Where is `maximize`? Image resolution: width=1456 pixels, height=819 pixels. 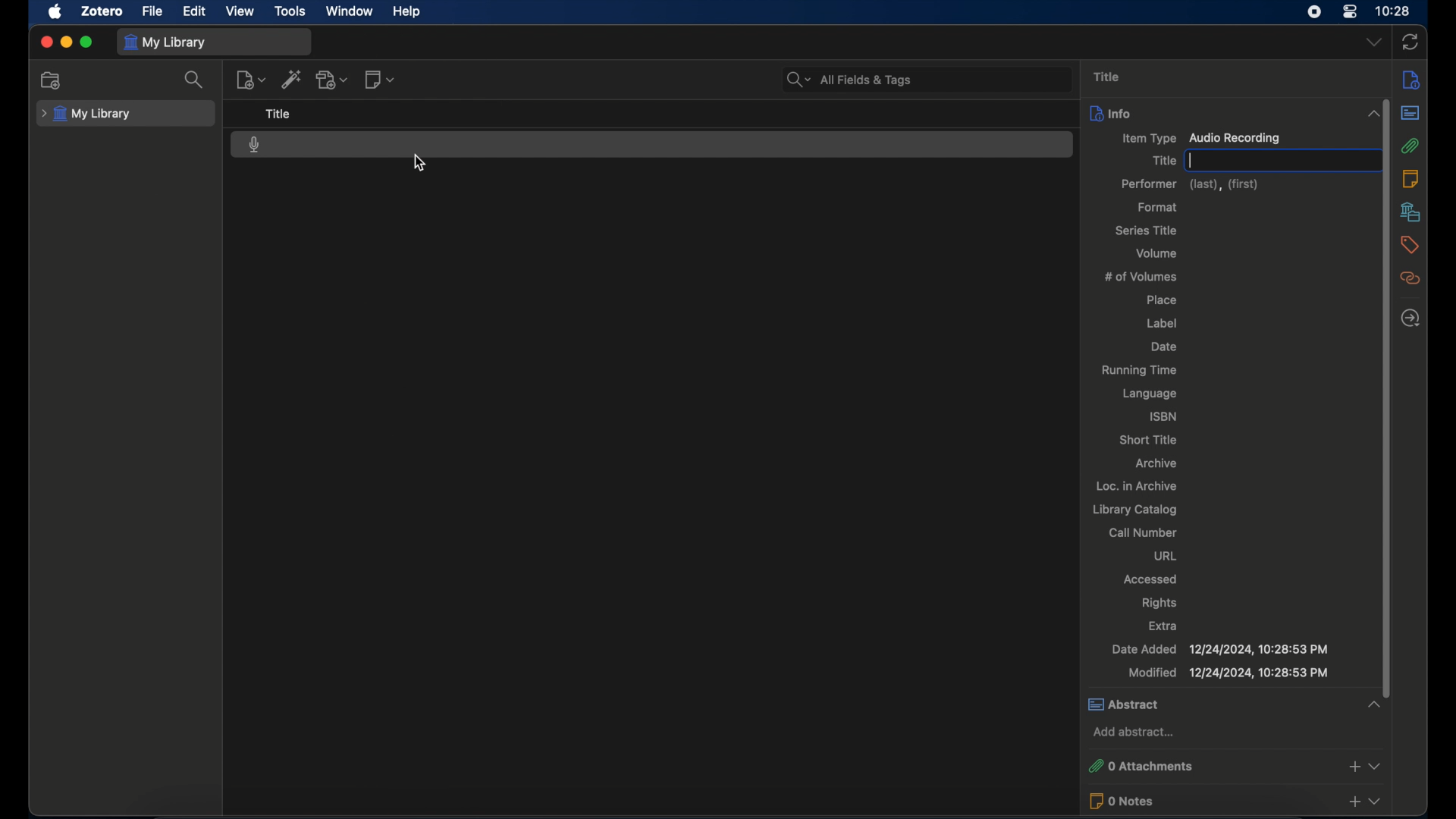
maximize is located at coordinates (86, 42).